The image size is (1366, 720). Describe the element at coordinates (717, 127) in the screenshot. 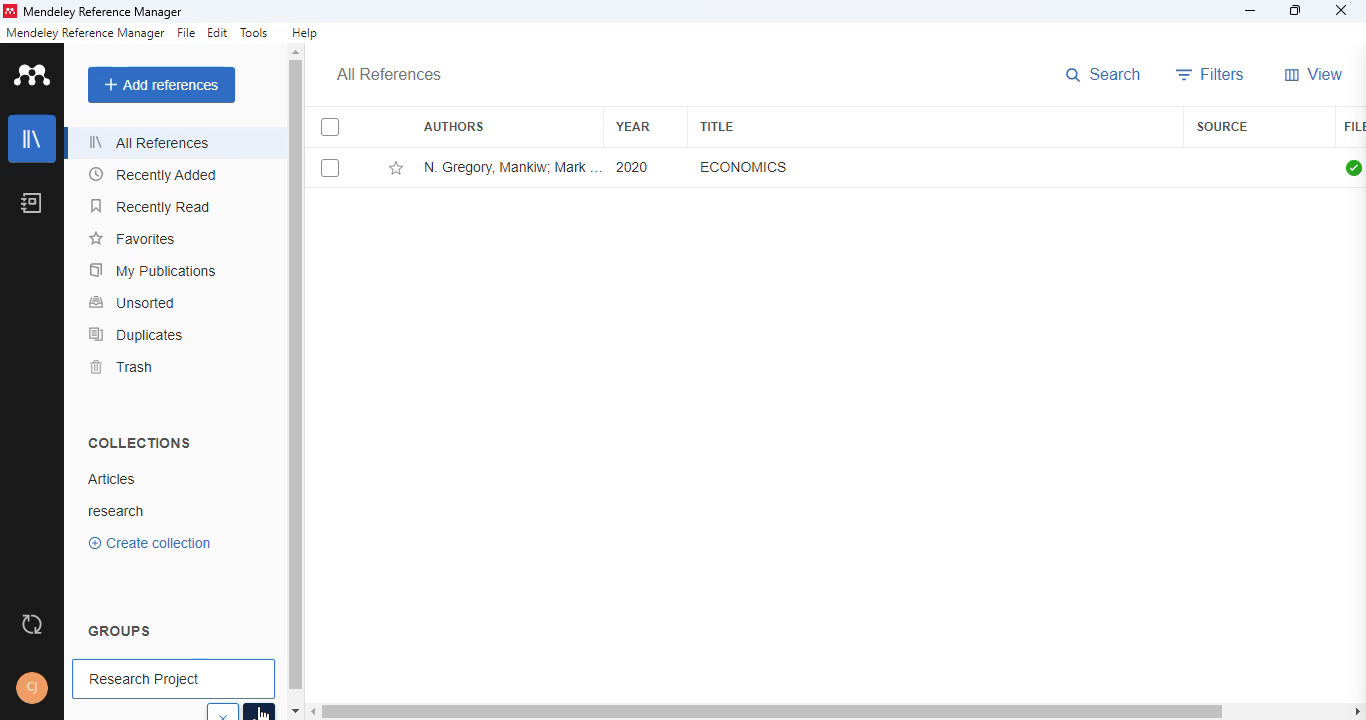

I see `title` at that location.